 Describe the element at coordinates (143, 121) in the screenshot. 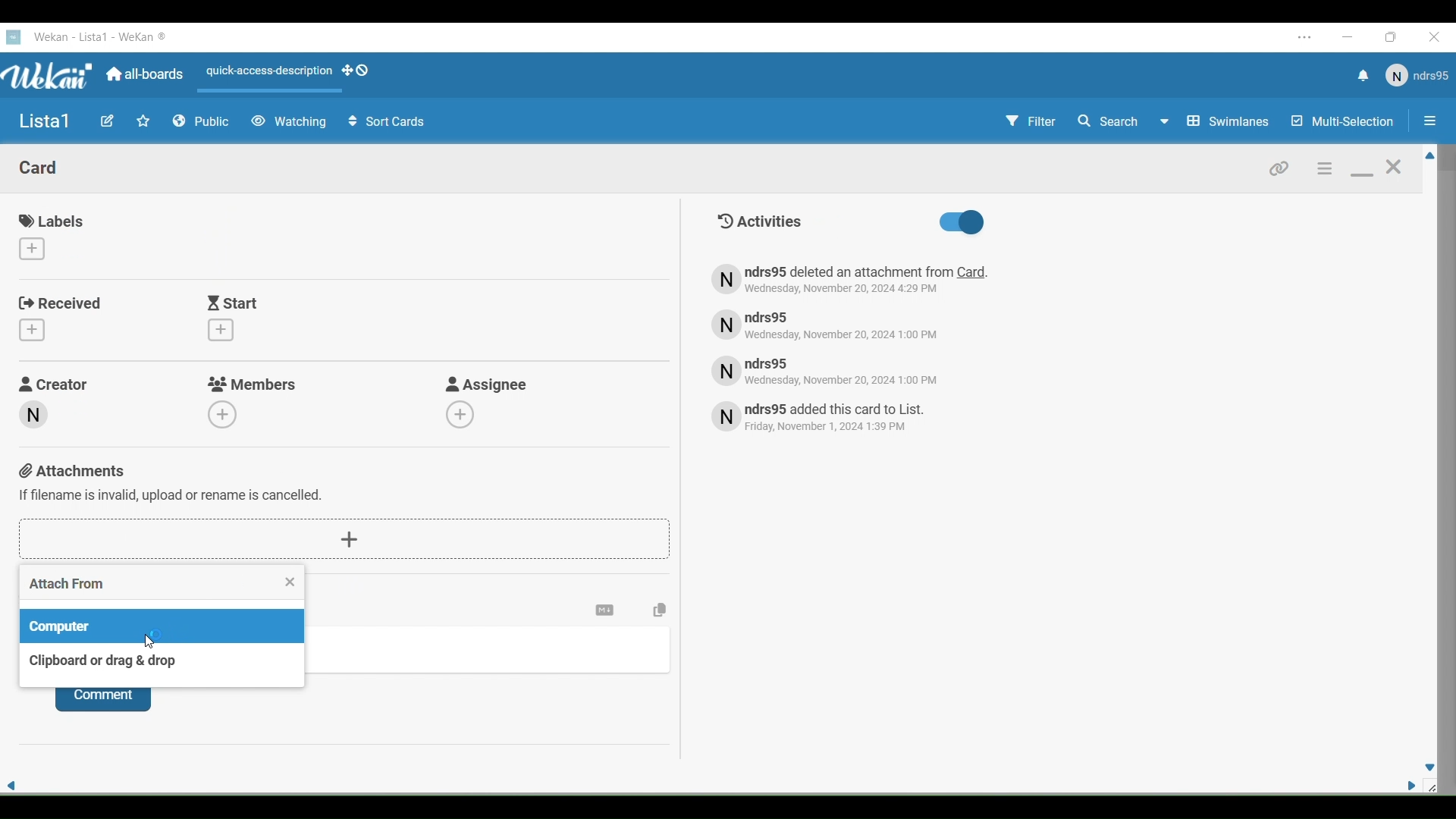

I see `Favorites` at that location.